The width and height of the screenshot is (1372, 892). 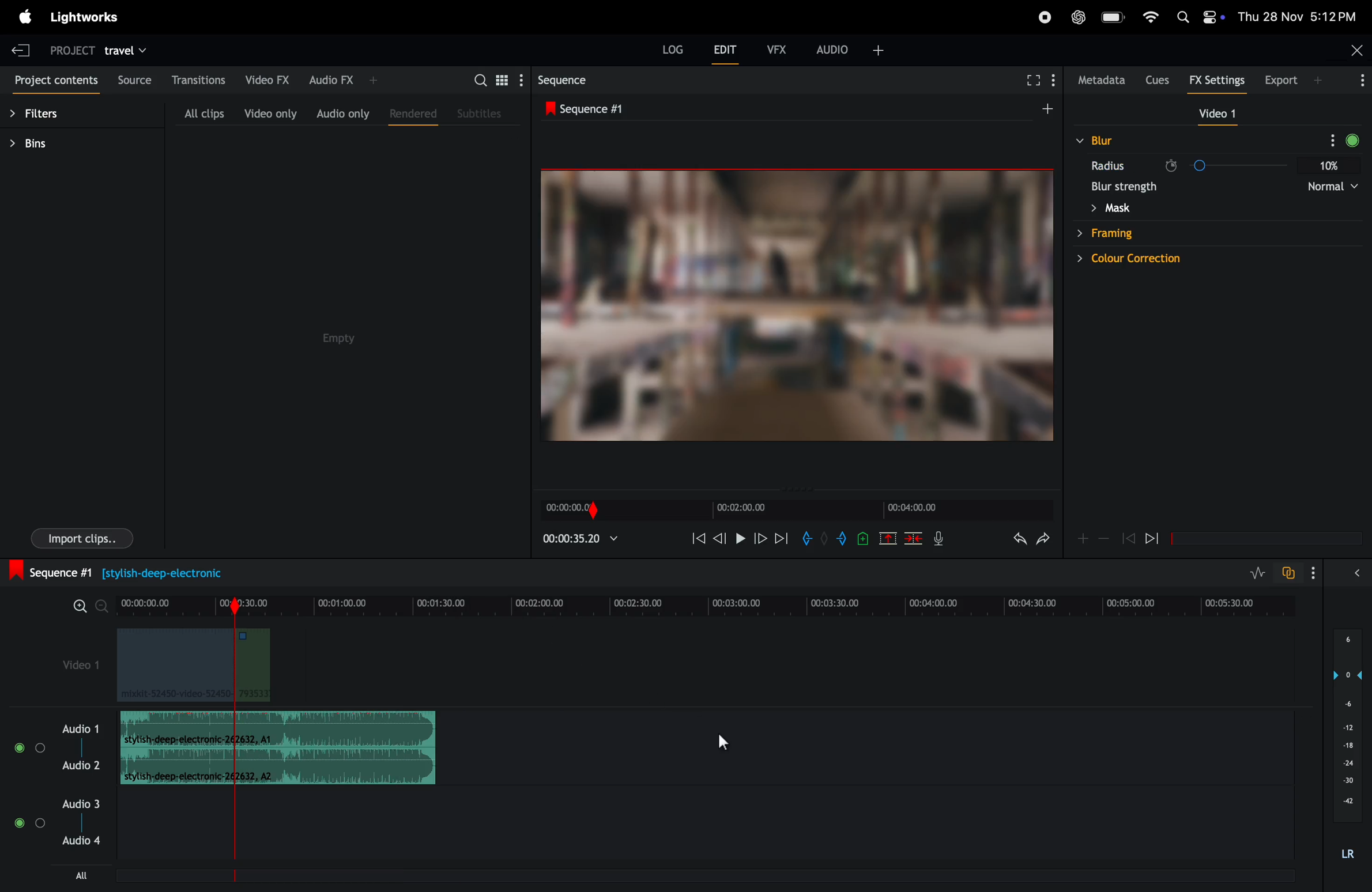 I want to click on mic, so click(x=943, y=540).